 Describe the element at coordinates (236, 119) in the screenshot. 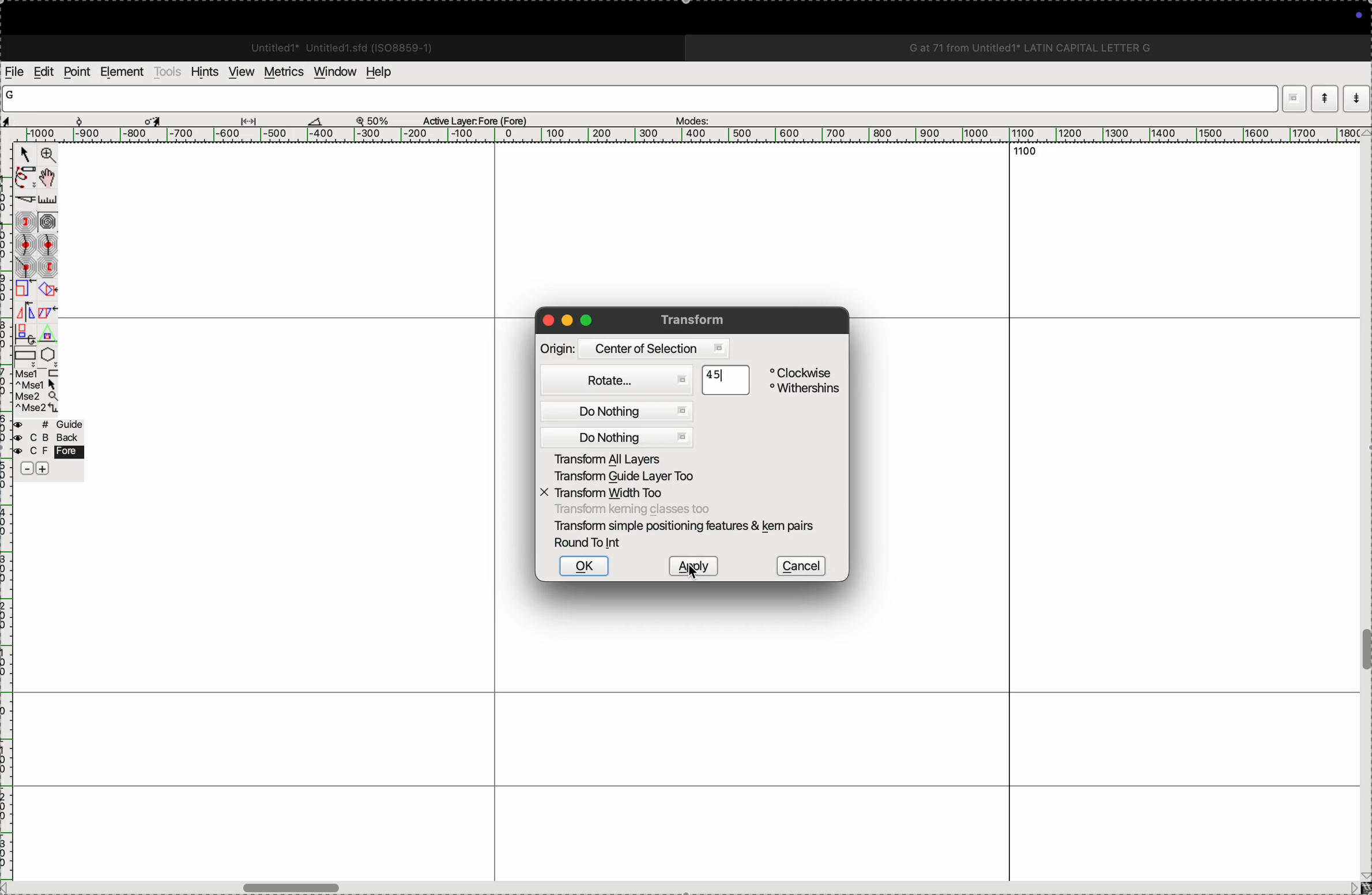

I see `measurements` at that location.